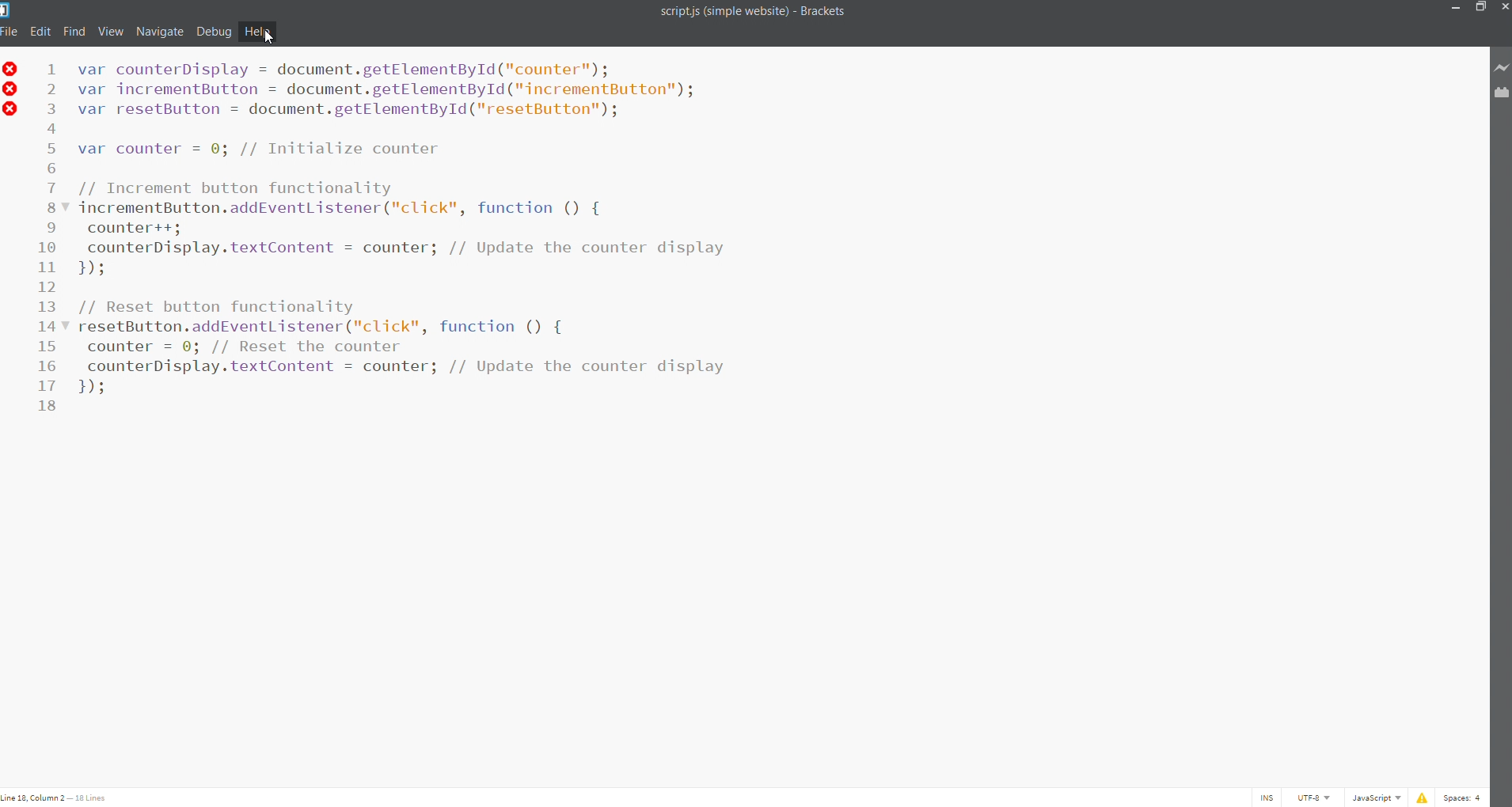 This screenshot has height=807, width=1512. What do you see at coordinates (1419, 798) in the screenshot?
I see `error display` at bounding box center [1419, 798].